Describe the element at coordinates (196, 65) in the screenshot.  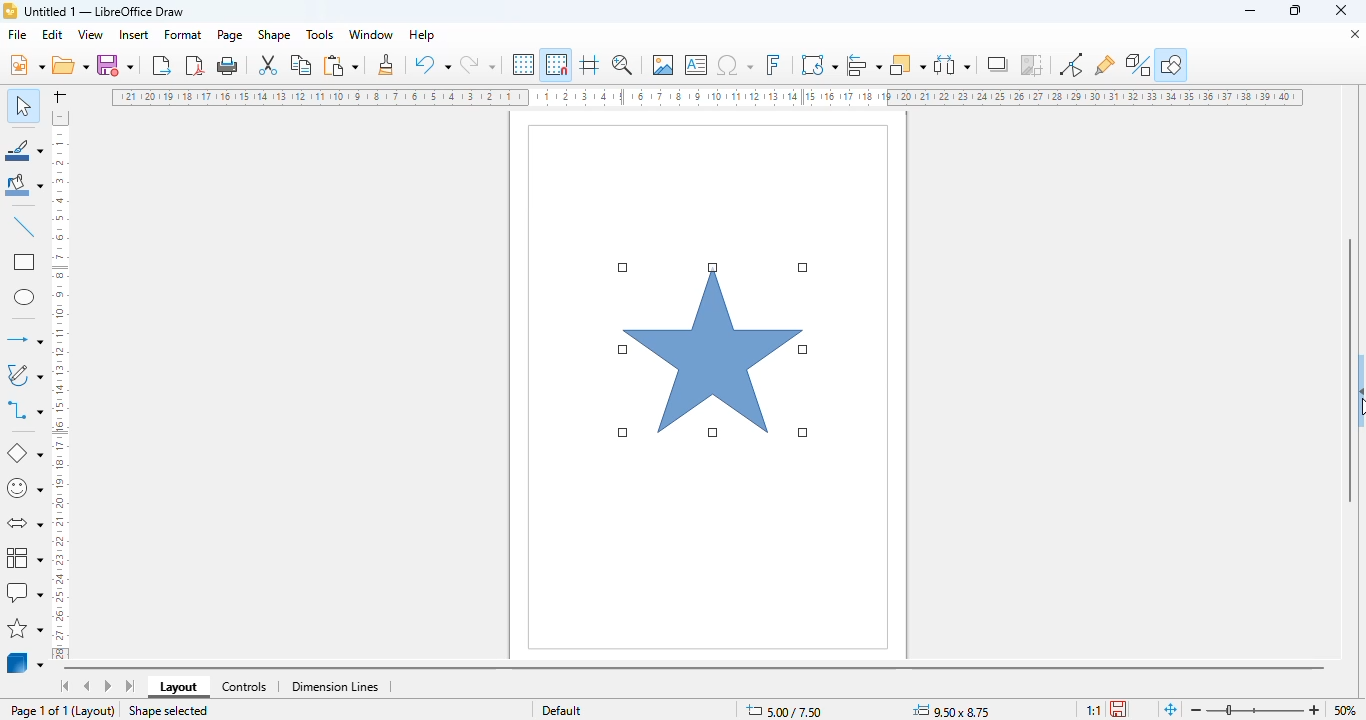
I see `export directly as PDF` at that location.